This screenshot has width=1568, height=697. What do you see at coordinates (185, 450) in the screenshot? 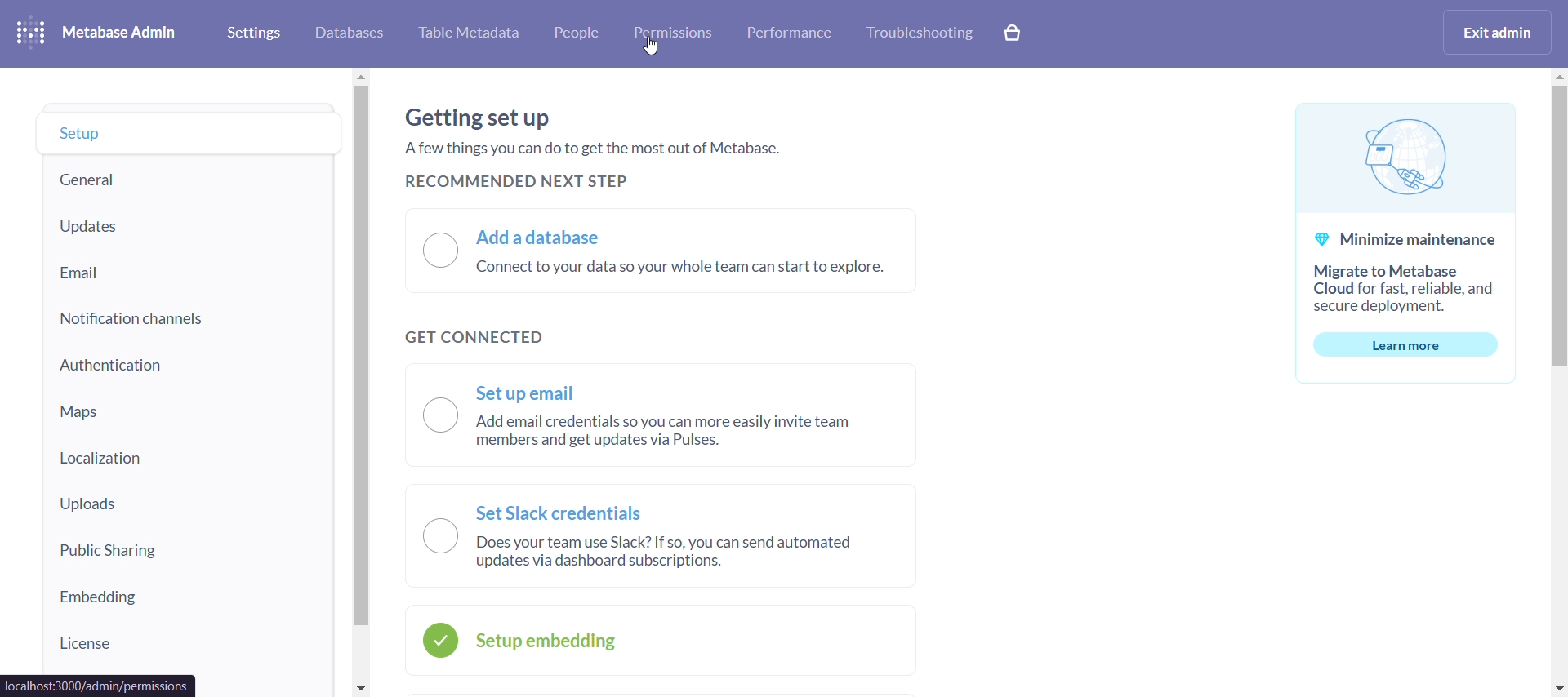
I see `localization` at bounding box center [185, 450].